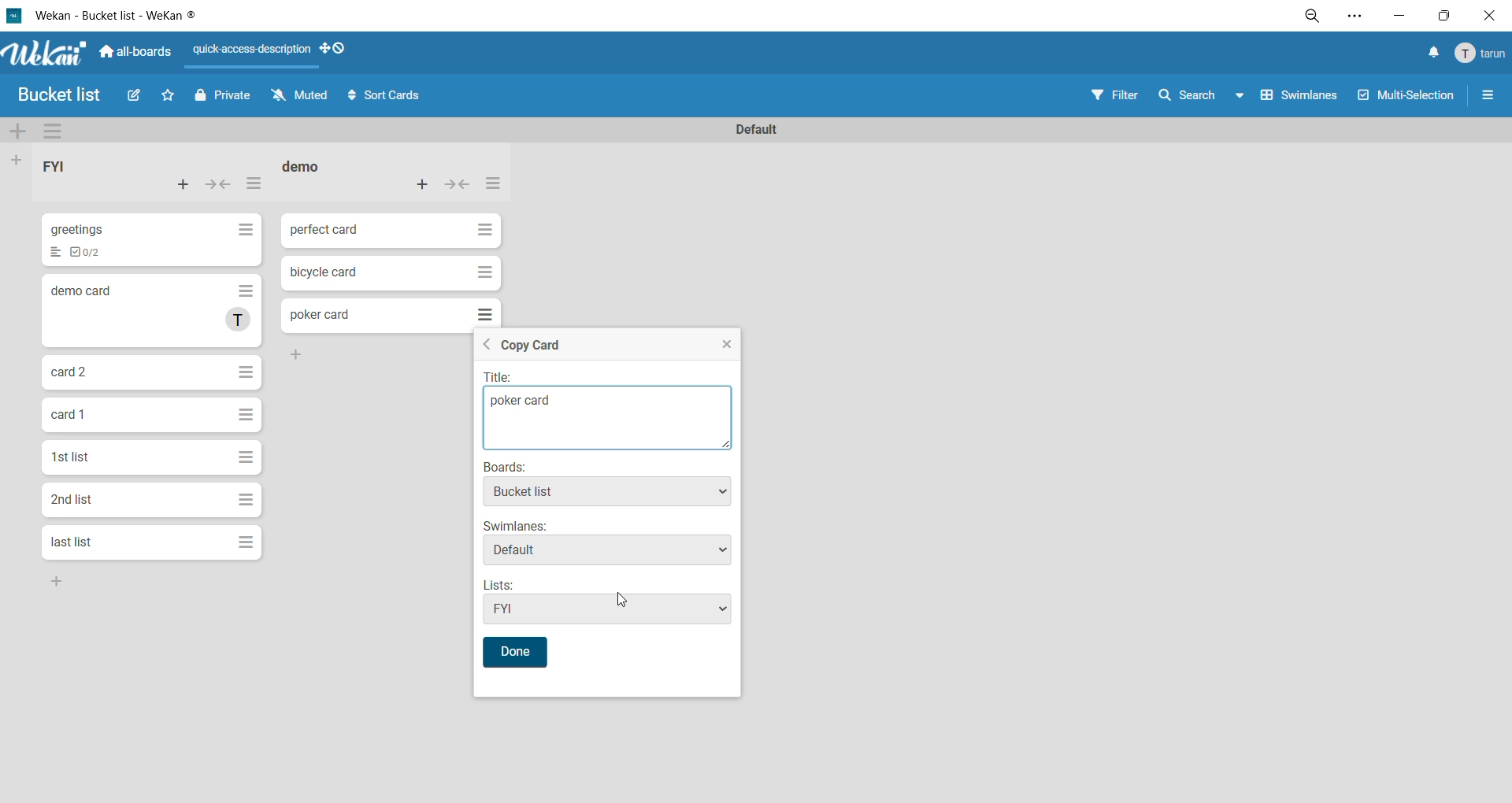 This screenshot has width=1512, height=803. Describe the element at coordinates (20, 134) in the screenshot. I see `add swimlane` at that location.